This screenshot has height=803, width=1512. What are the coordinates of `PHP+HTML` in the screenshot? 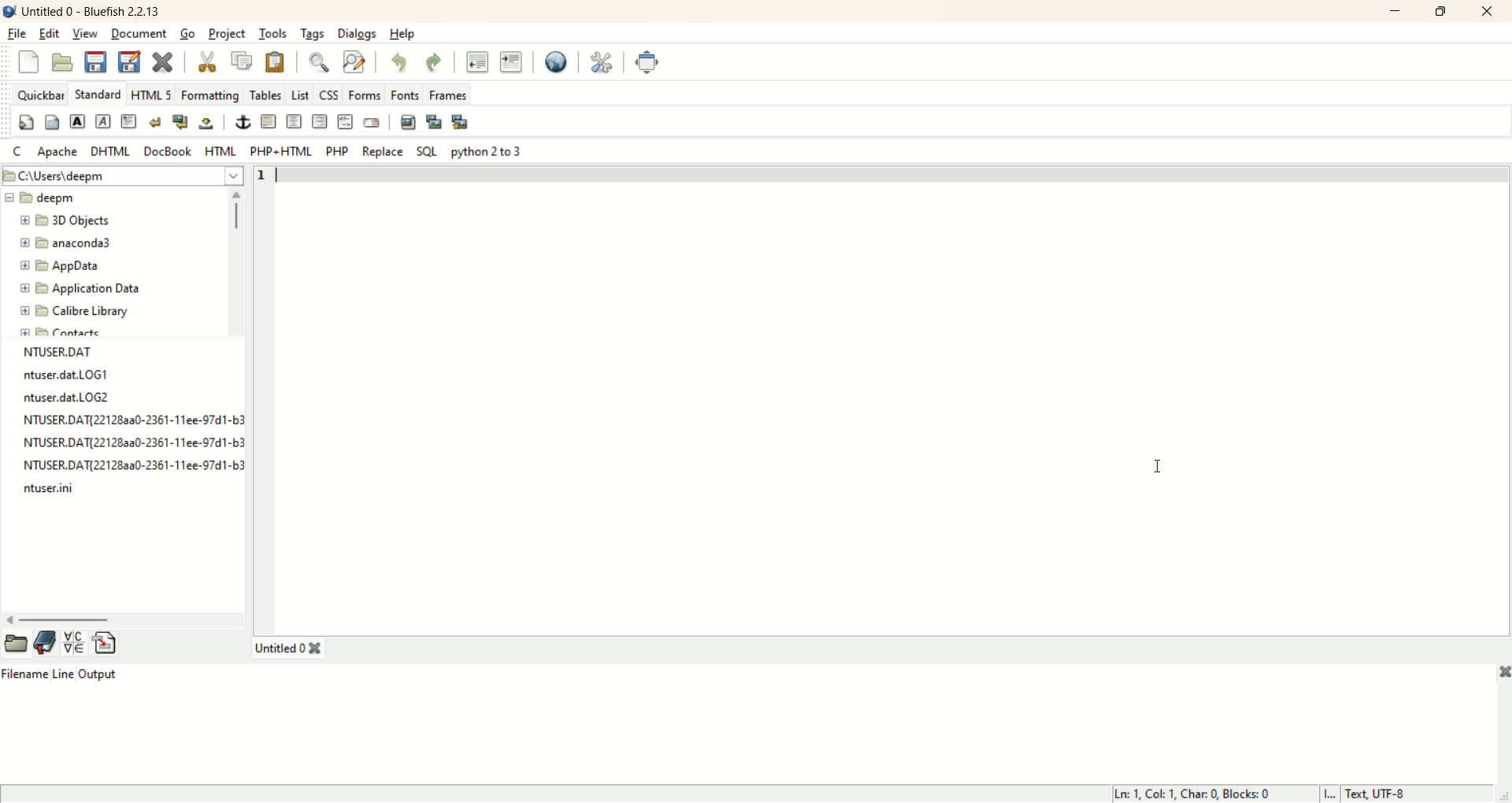 It's located at (282, 151).